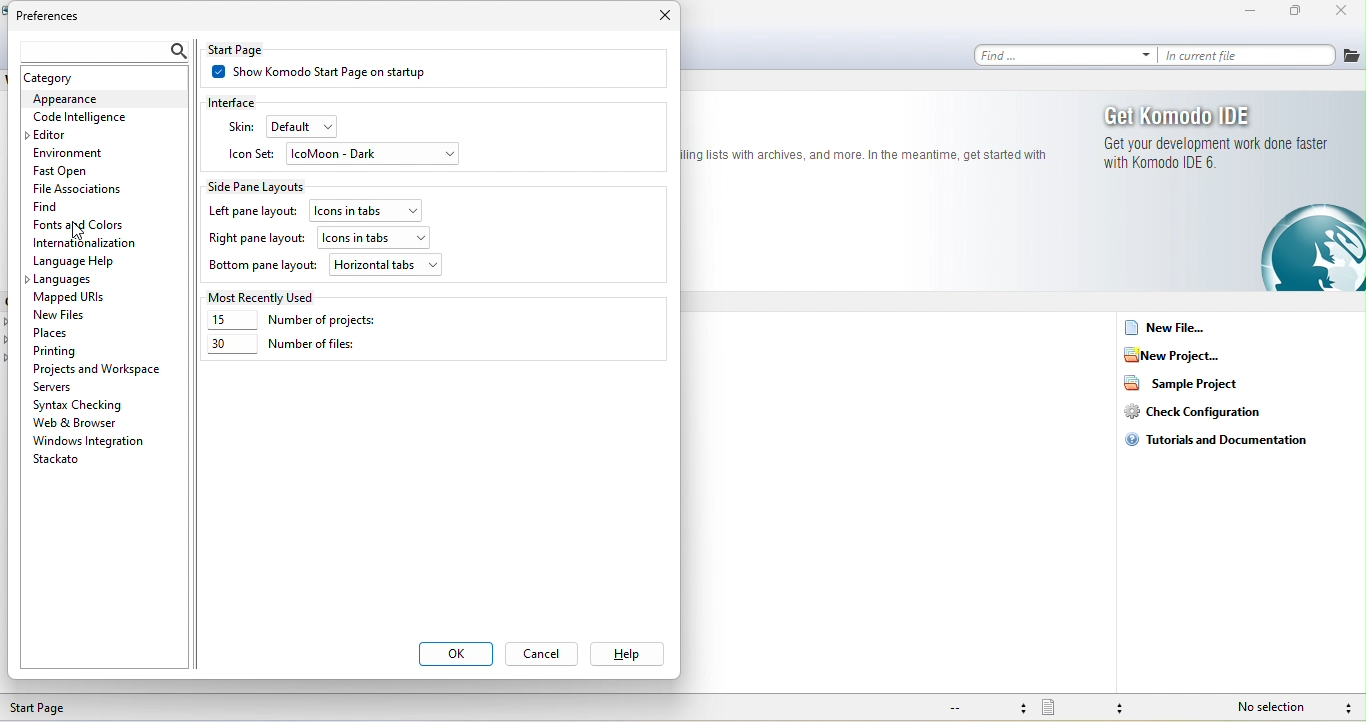 The height and width of the screenshot is (722, 1366). I want to click on in current file, so click(1251, 56).